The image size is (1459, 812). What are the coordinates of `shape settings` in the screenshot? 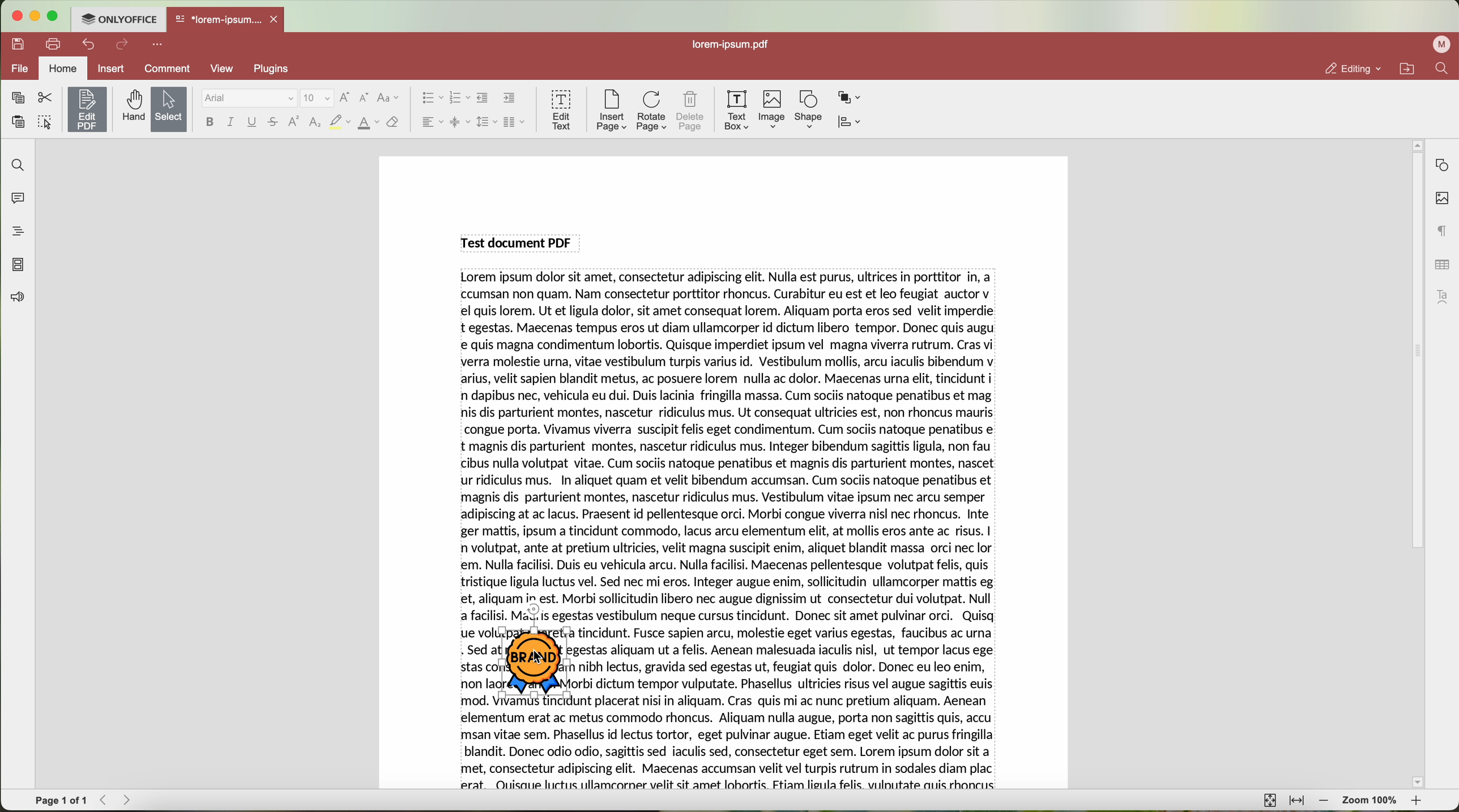 It's located at (1441, 165).